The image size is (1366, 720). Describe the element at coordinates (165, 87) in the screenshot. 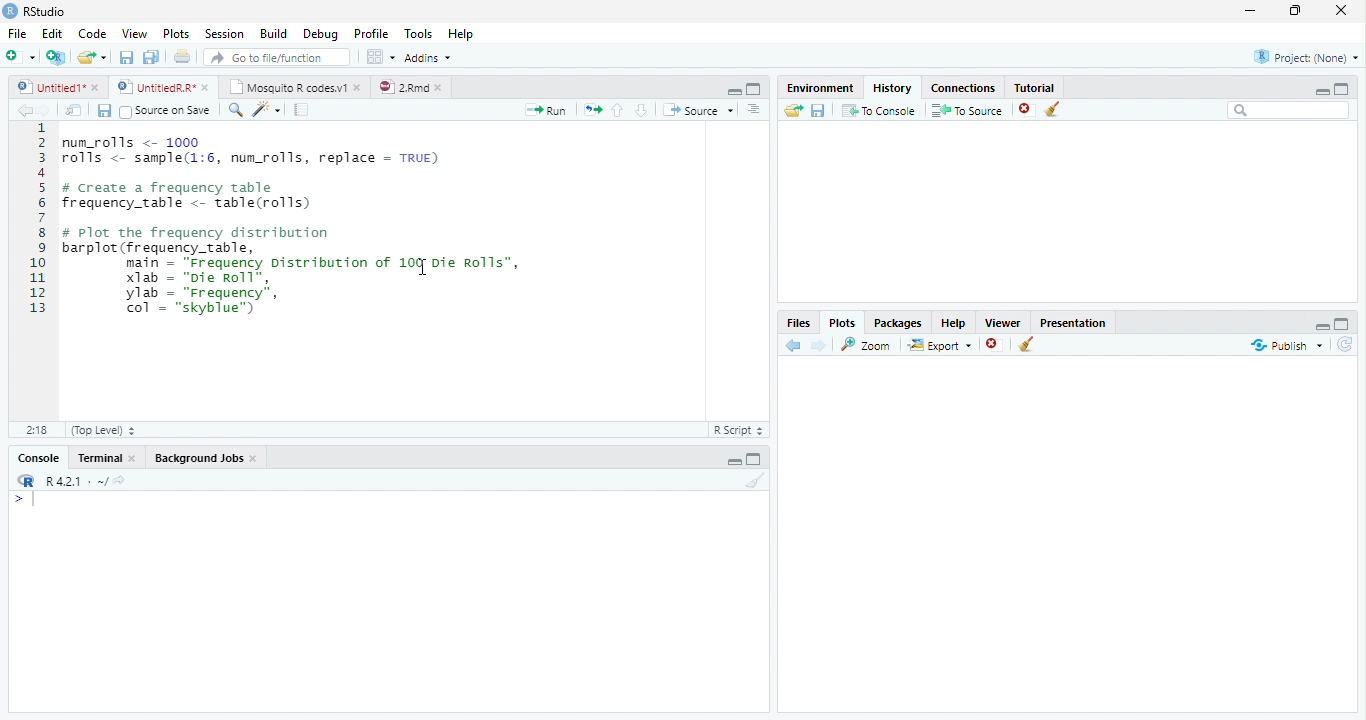

I see `© UntitedRR* *` at that location.